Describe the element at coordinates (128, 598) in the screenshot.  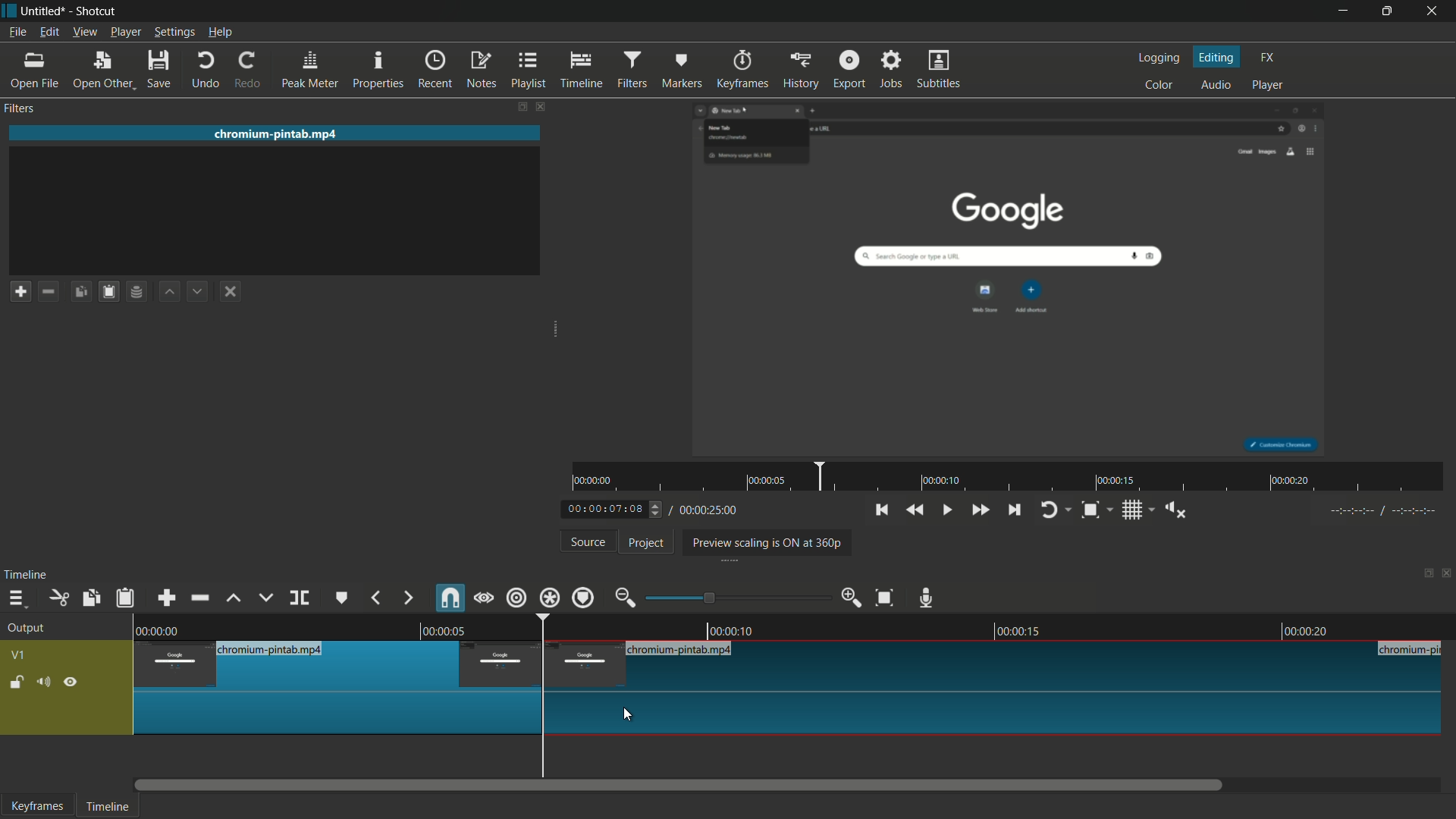
I see `paste` at that location.